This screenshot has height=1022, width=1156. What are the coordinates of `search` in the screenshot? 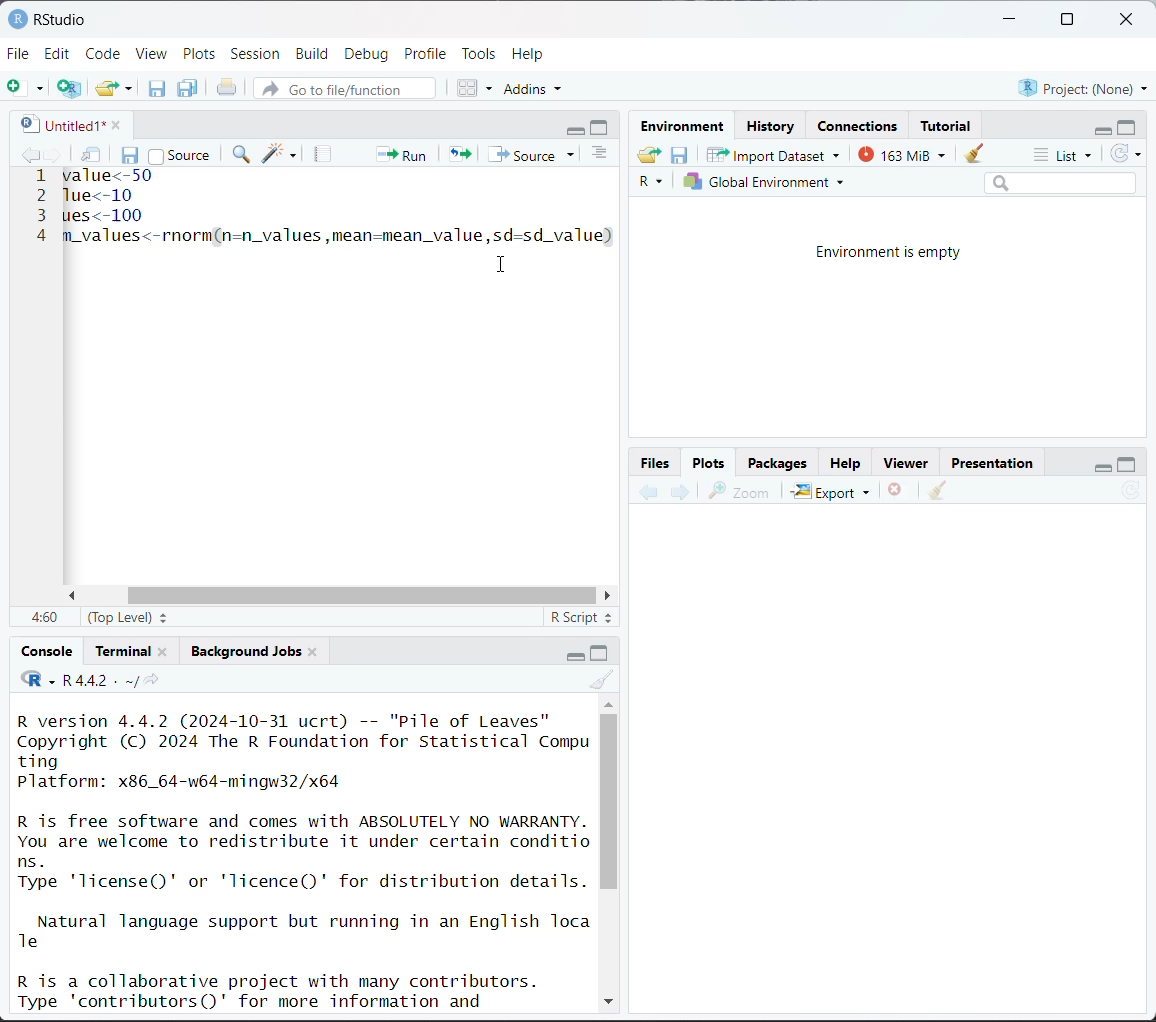 It's located at (1060, 182).